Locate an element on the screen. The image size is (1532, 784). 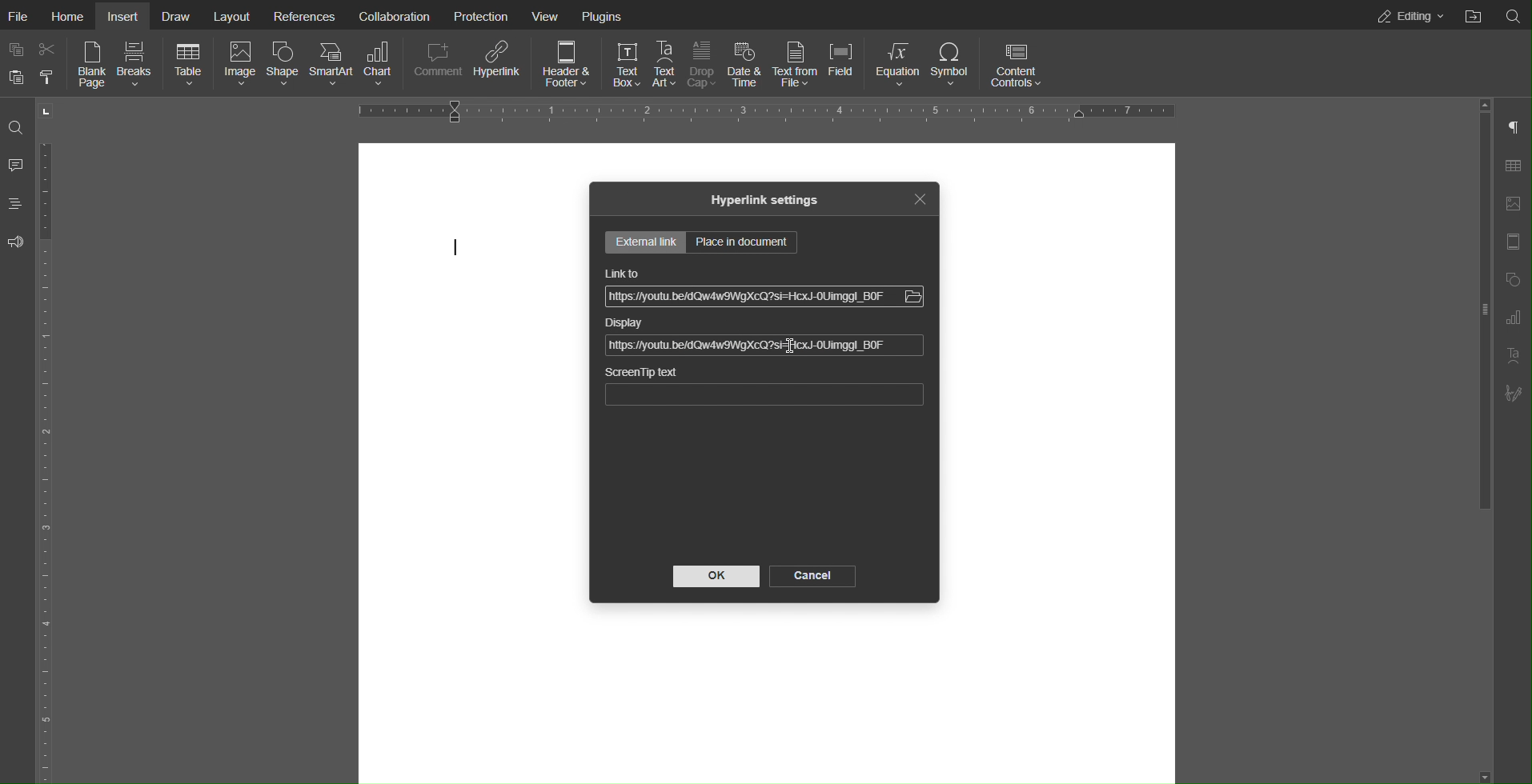
Editing is located at coordinates (1409, 16).